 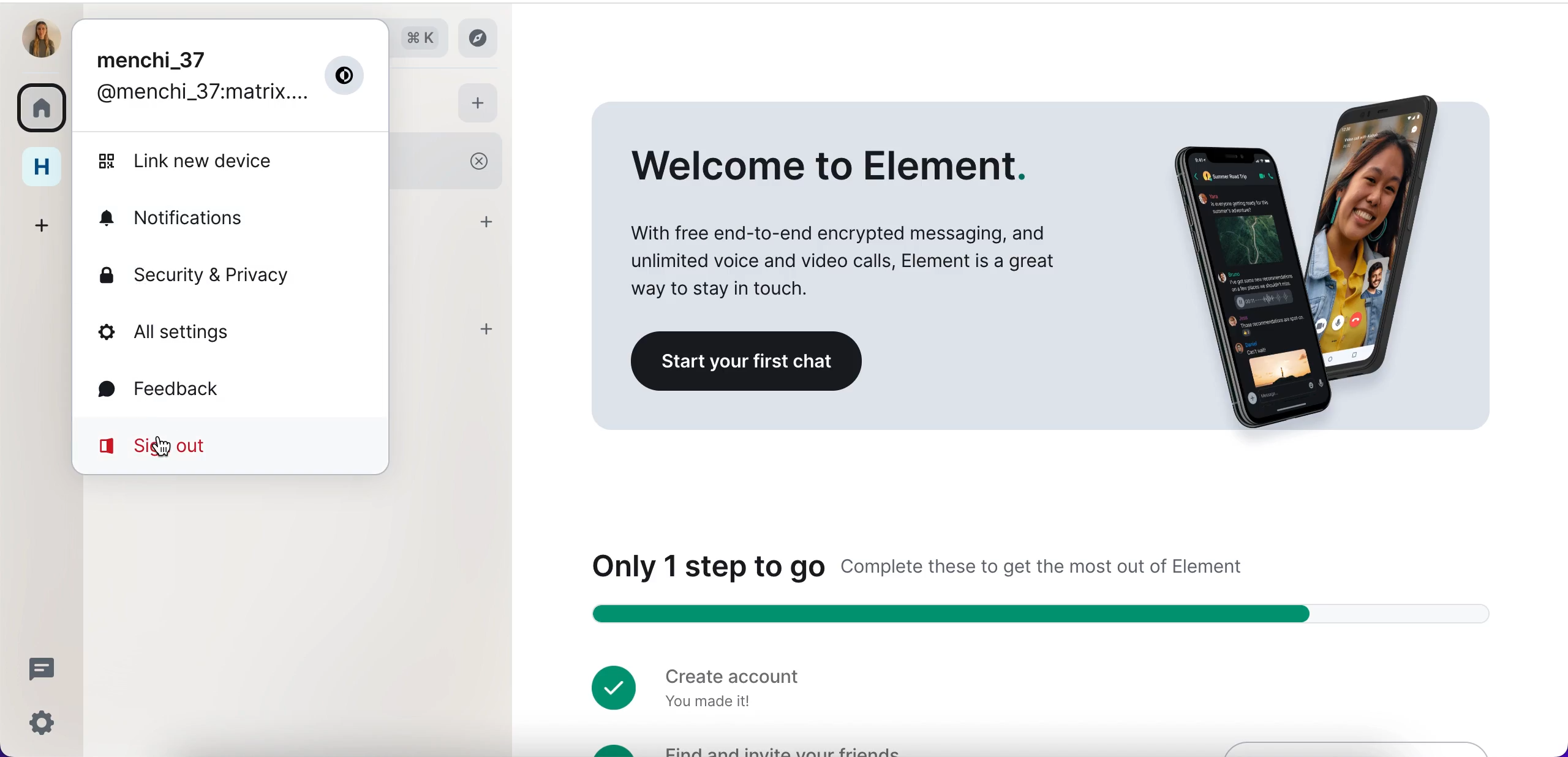 I want to click on image, so click(x=1295, y=250).